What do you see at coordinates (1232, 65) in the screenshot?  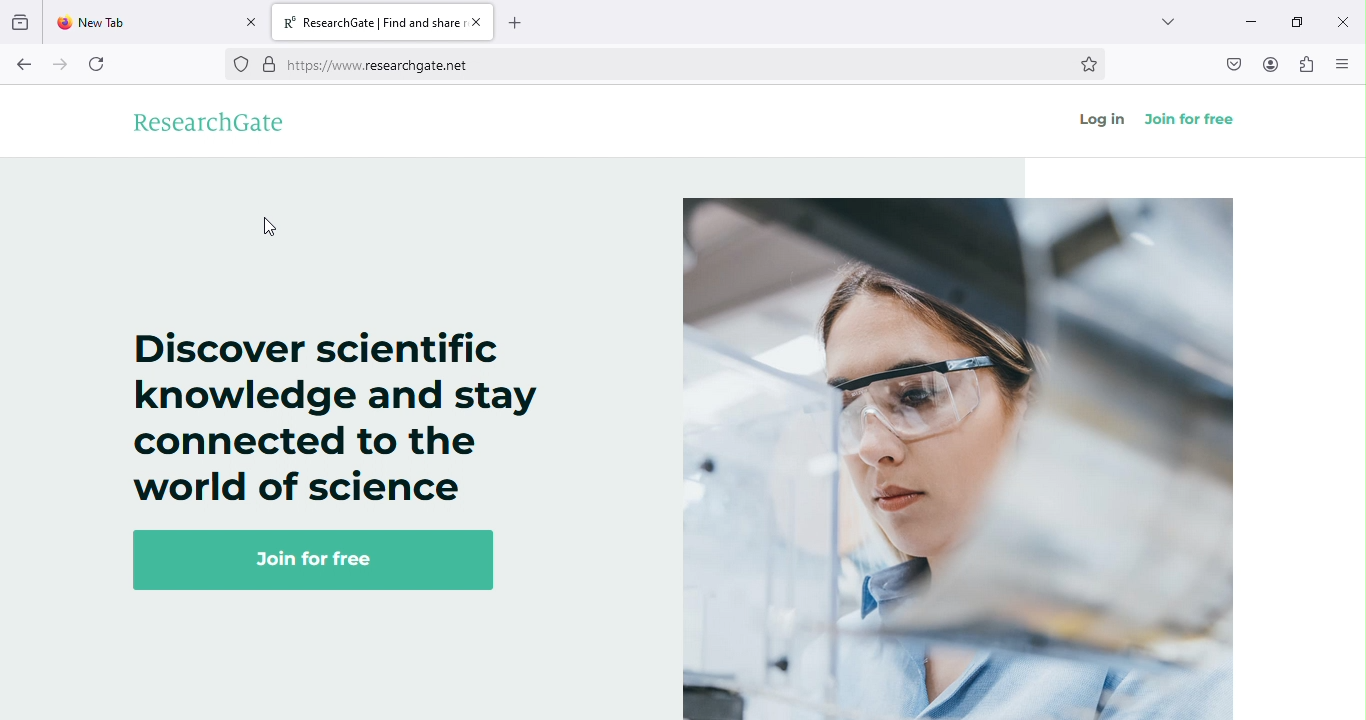 I see `save to pocket` at bounding box center [1232, 65].